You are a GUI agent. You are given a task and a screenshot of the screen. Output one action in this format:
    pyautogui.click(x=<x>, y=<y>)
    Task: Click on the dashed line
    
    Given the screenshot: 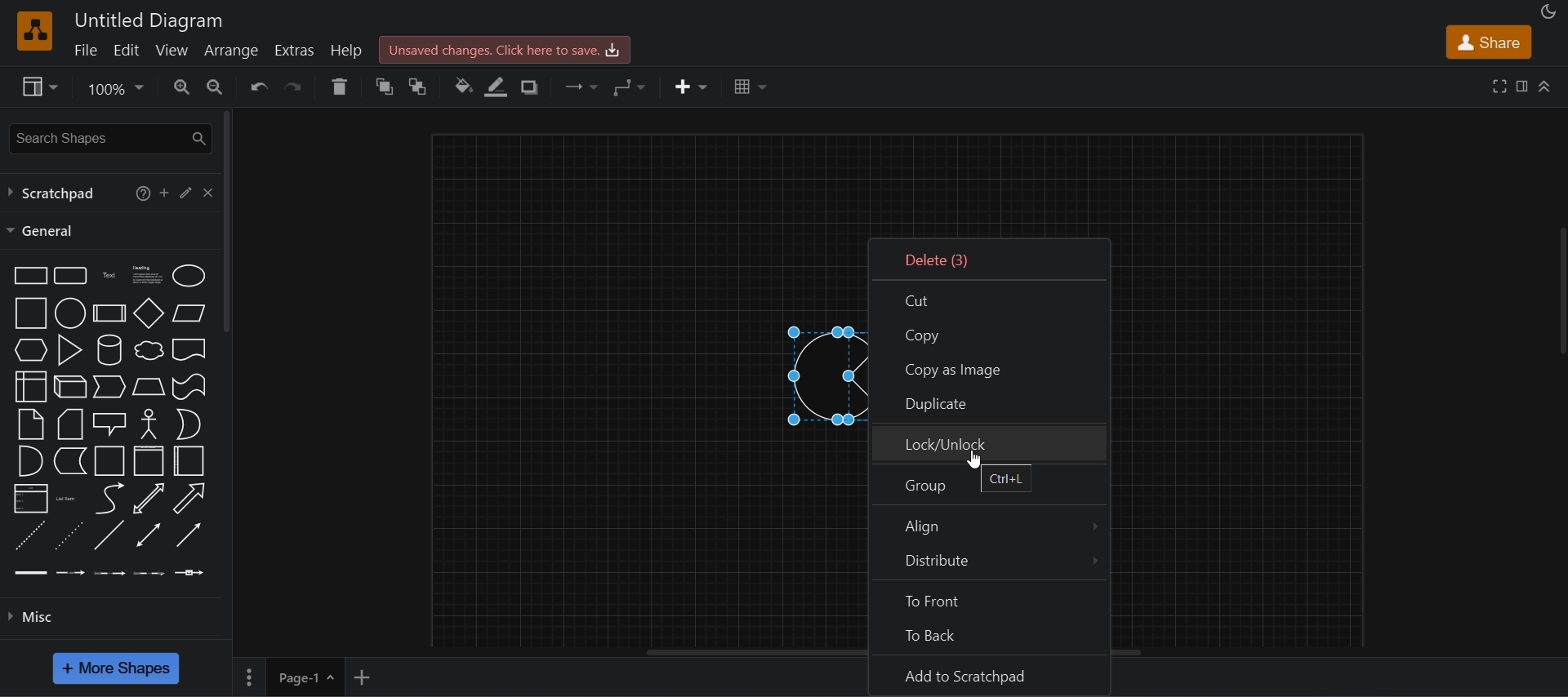 What is the action you would take?
    pyautogui.click(x=28, y=535)
    